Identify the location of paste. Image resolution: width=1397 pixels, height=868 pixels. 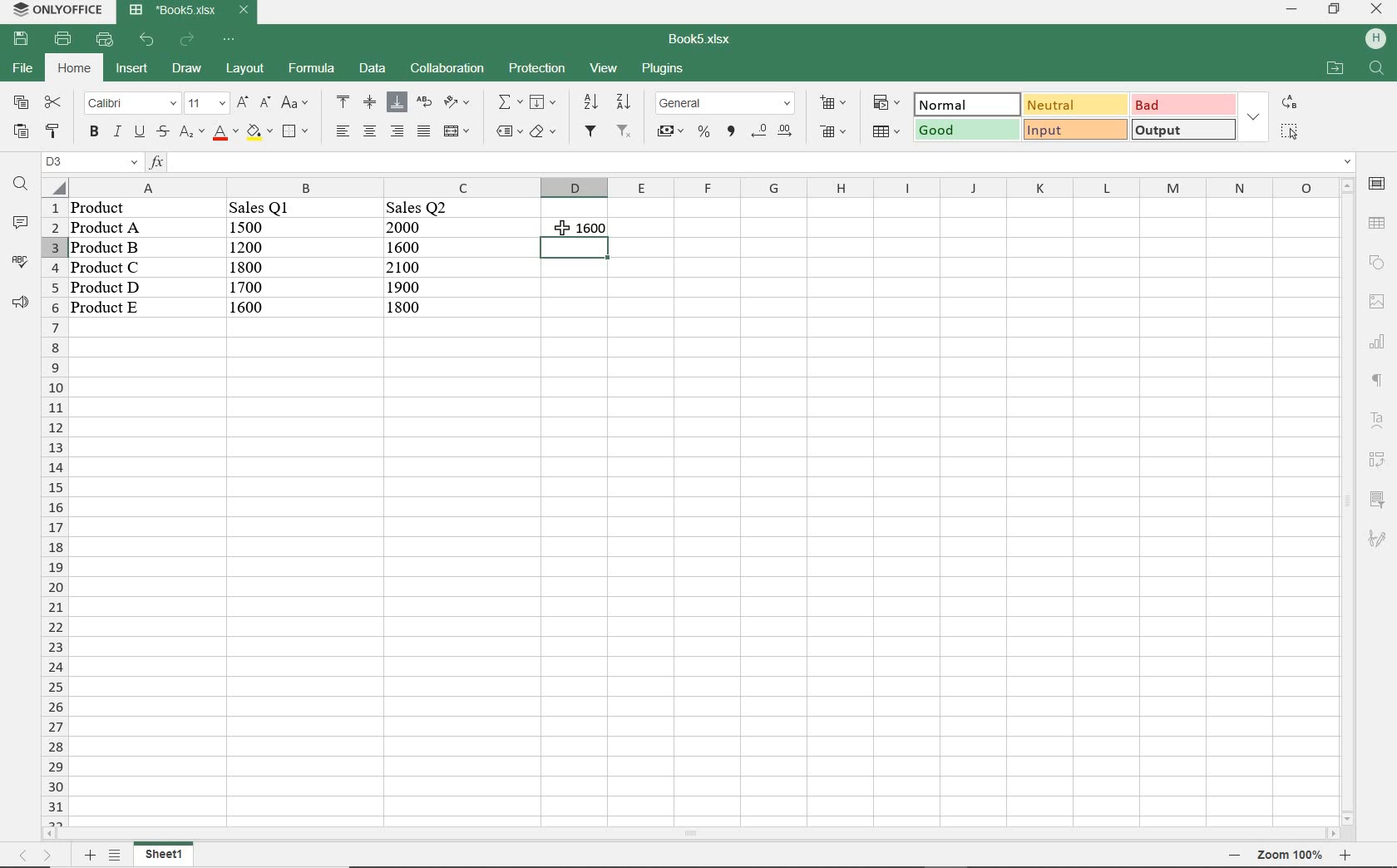
(21, 131).